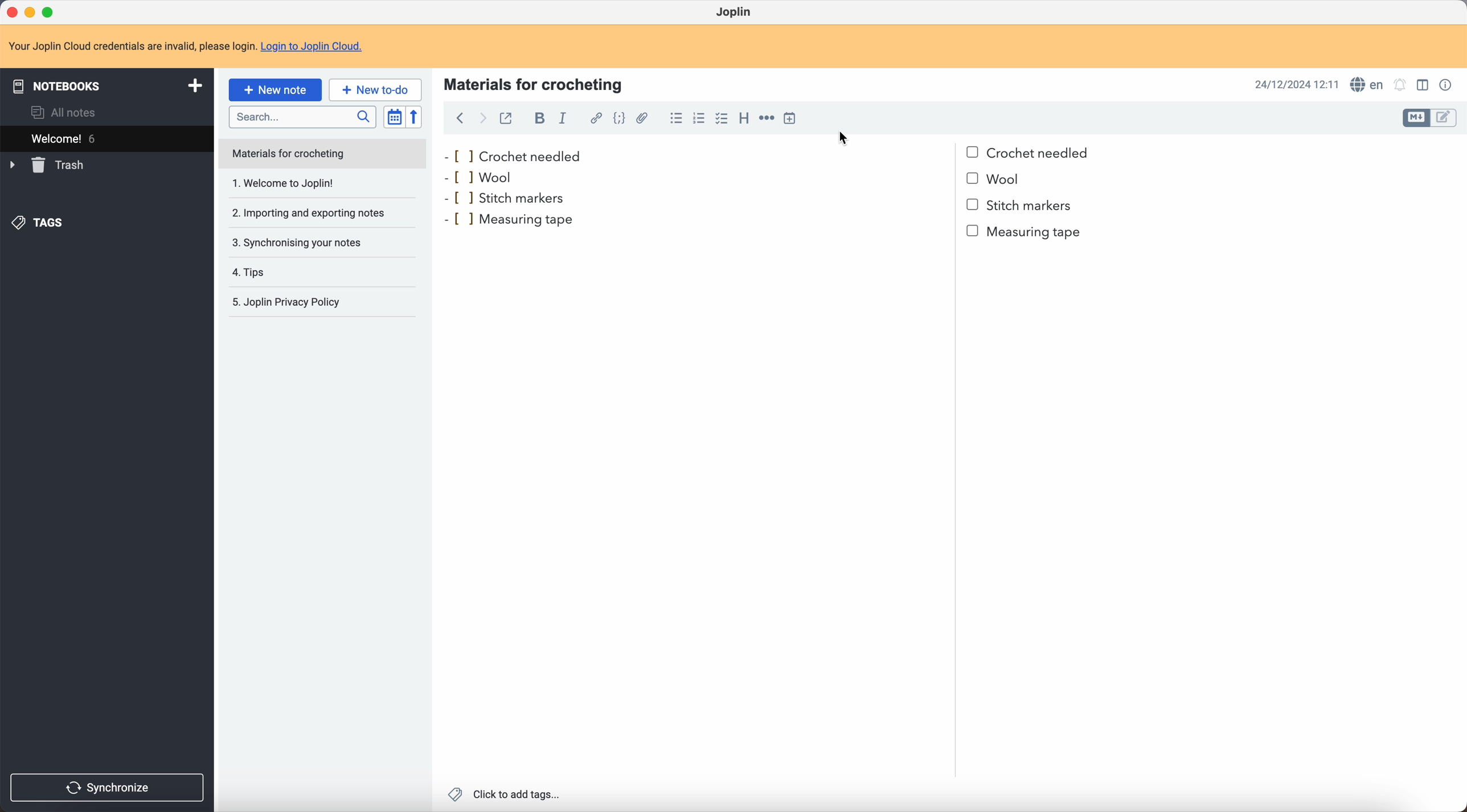 The image size is (1467, 812). What do you see at coordinates (1026, 203) in the screenshot?
I see `stitch markers` at bounding box center [1026, 203].